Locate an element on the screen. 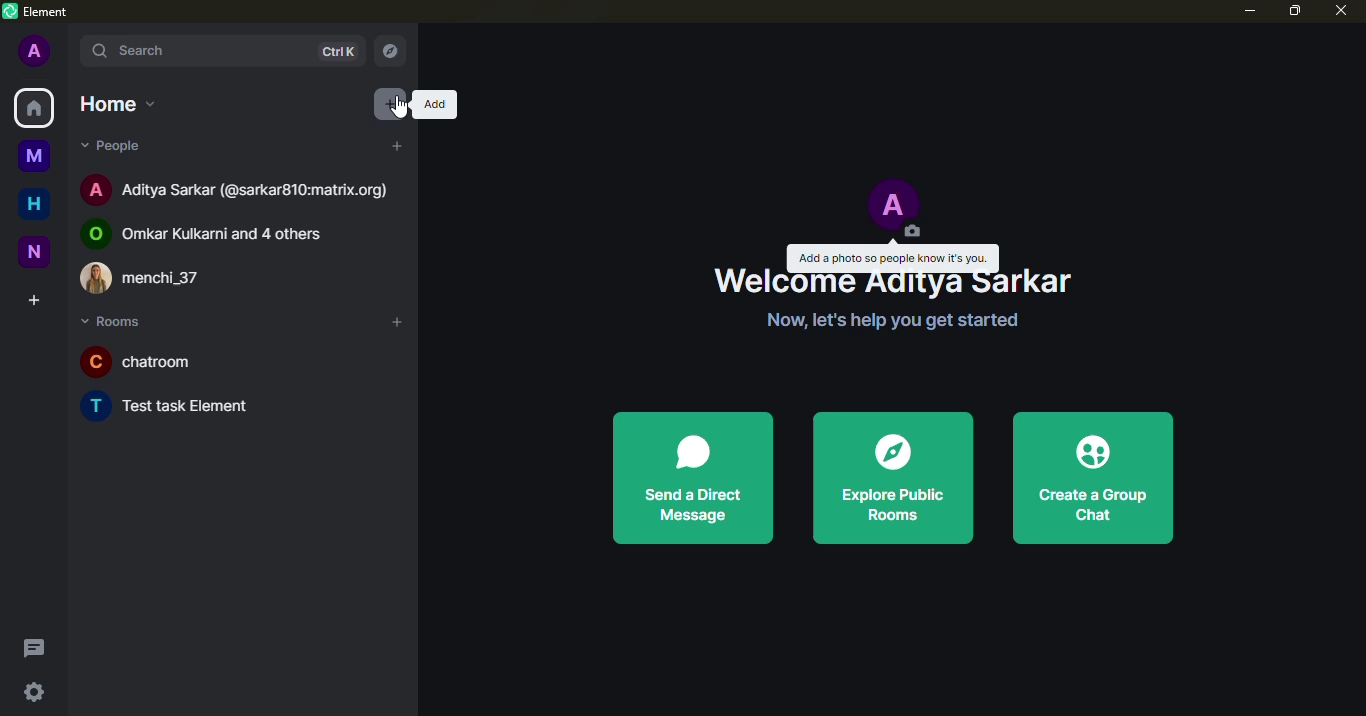 The image size is (1366, 716). cursor is located at coordinates (401, 110).